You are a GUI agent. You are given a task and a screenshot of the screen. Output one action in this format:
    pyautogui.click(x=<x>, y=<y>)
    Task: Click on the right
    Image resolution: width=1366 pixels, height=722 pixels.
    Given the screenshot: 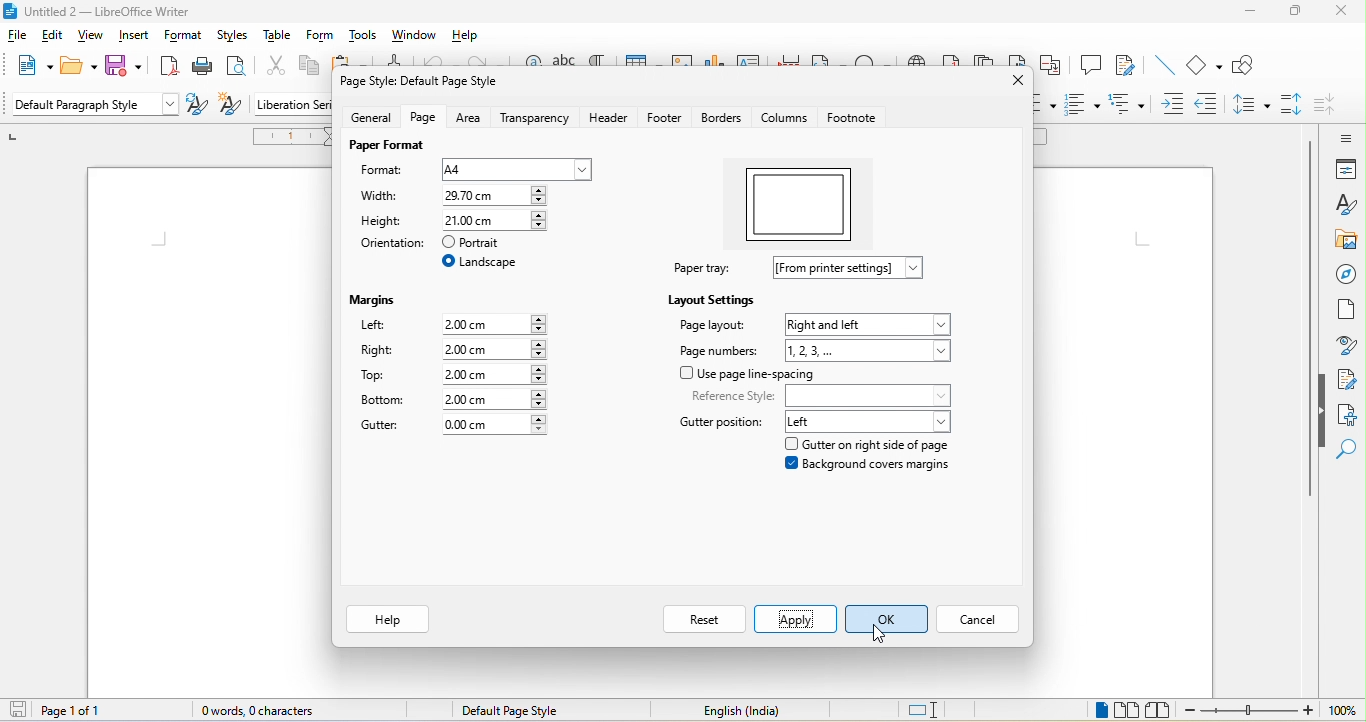 What is the action you would take?
    pyautogui.click(x=379, y=353)
    